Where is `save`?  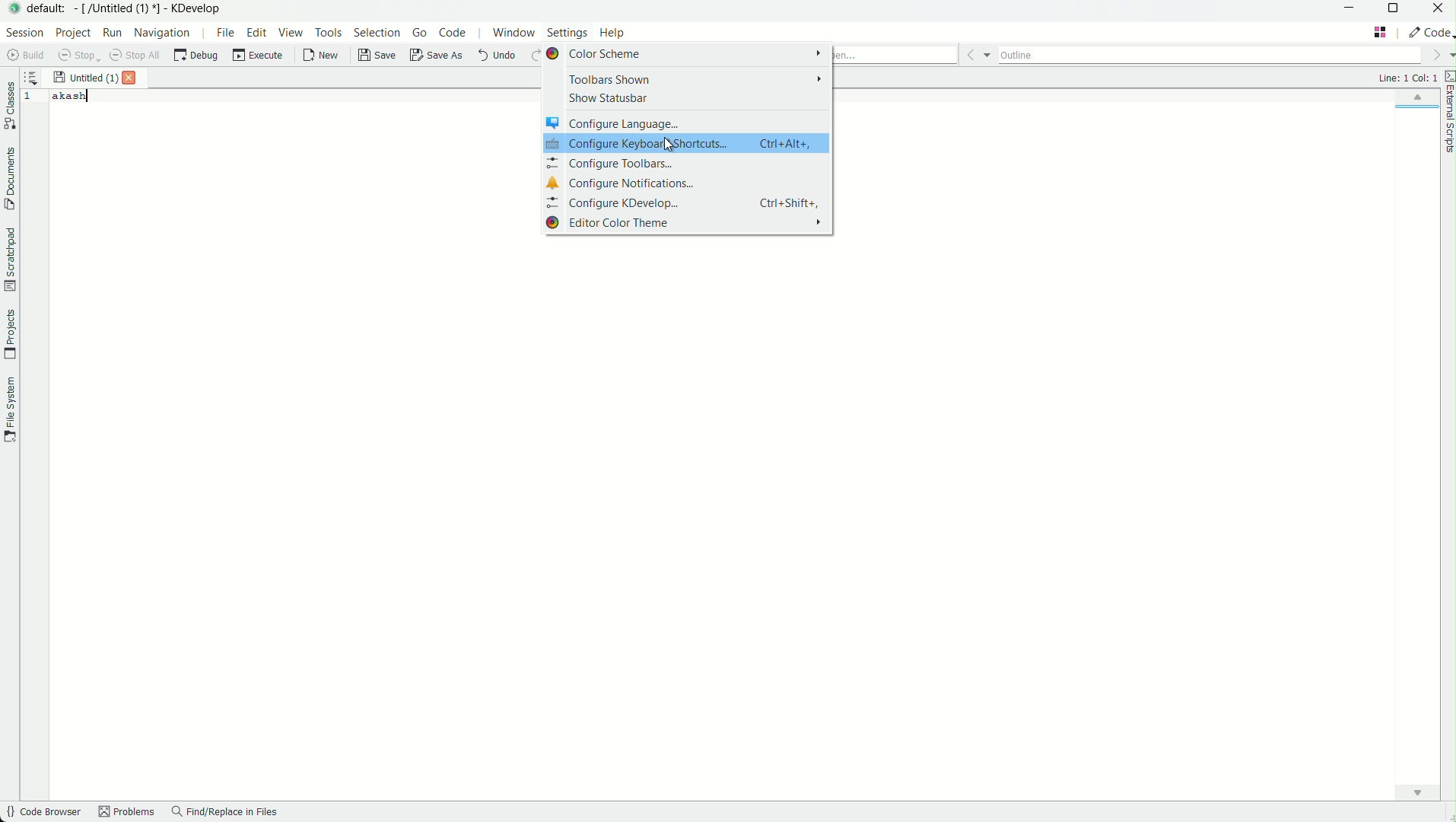 save is located at coordinates (378, 56).